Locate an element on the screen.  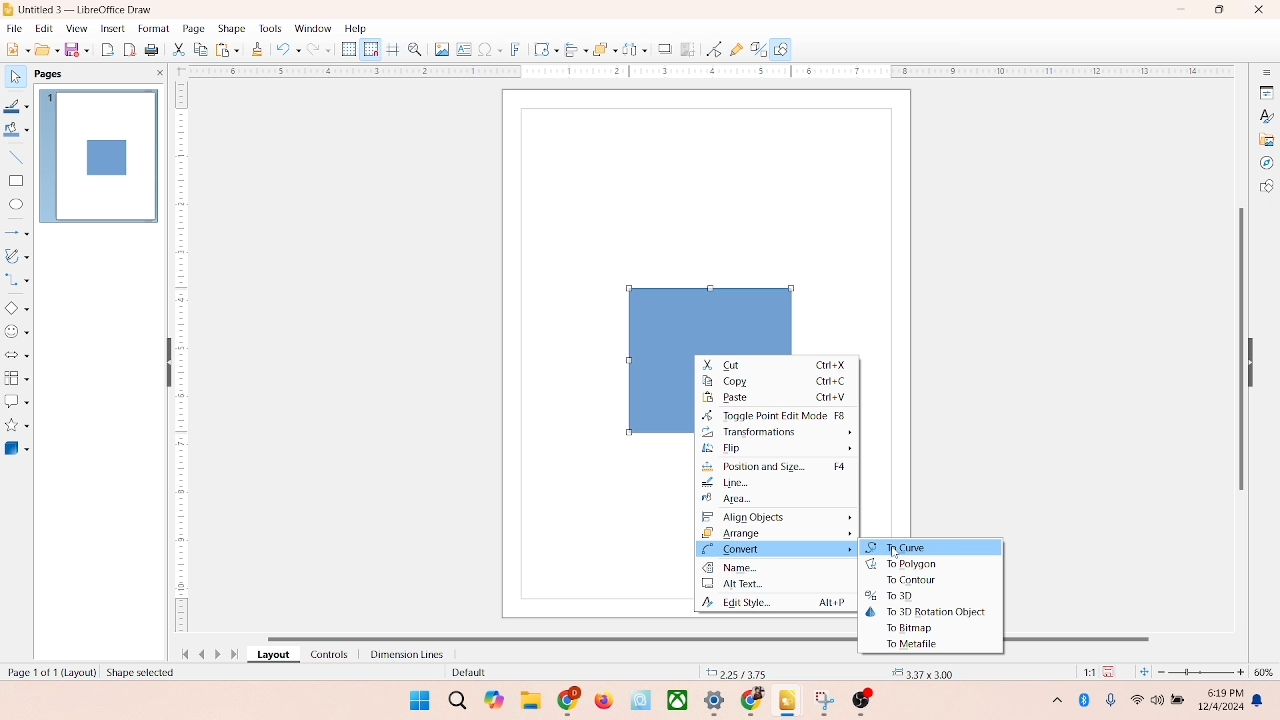
callout is located at coordinates (16, 401).